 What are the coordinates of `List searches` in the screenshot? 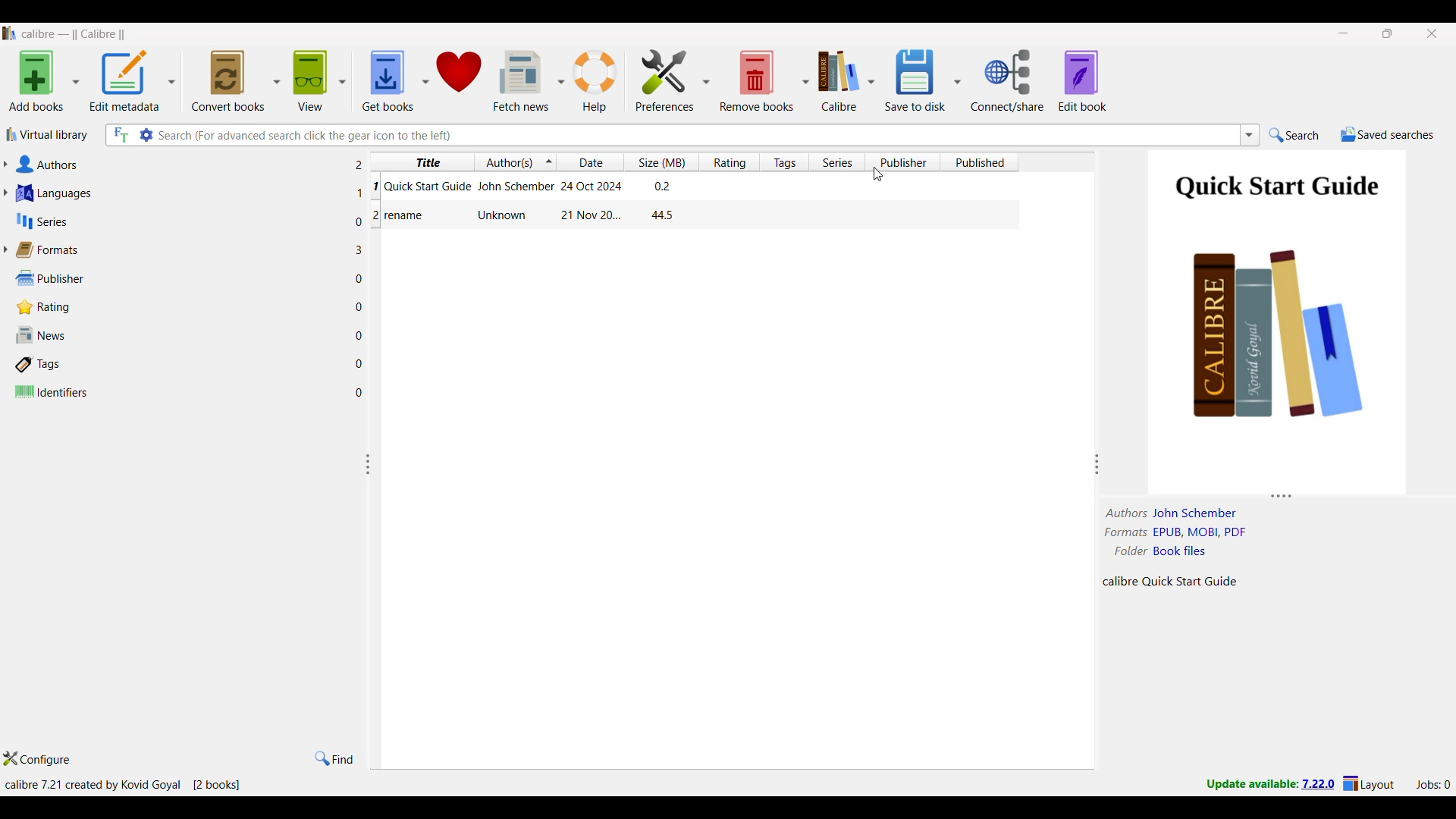 It's located at (1250, 135).